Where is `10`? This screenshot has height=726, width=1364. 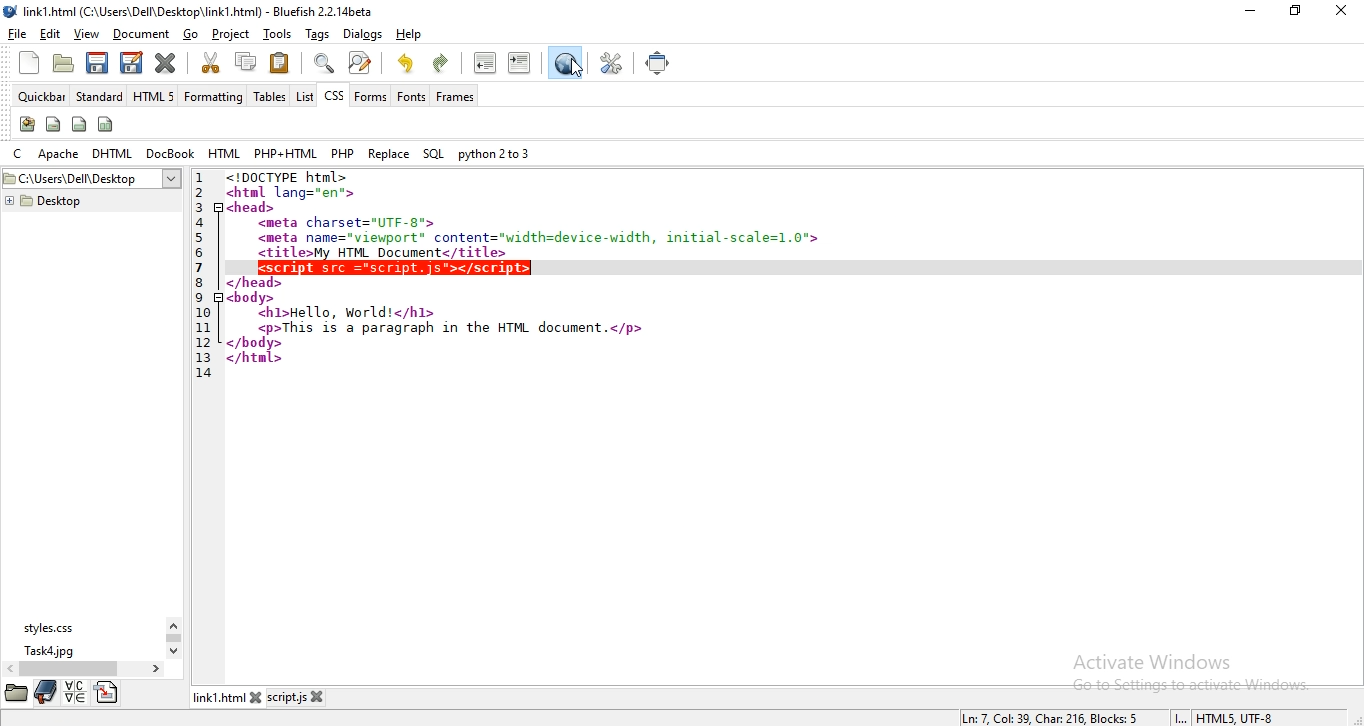
10 is located at coordinates (203, 313).